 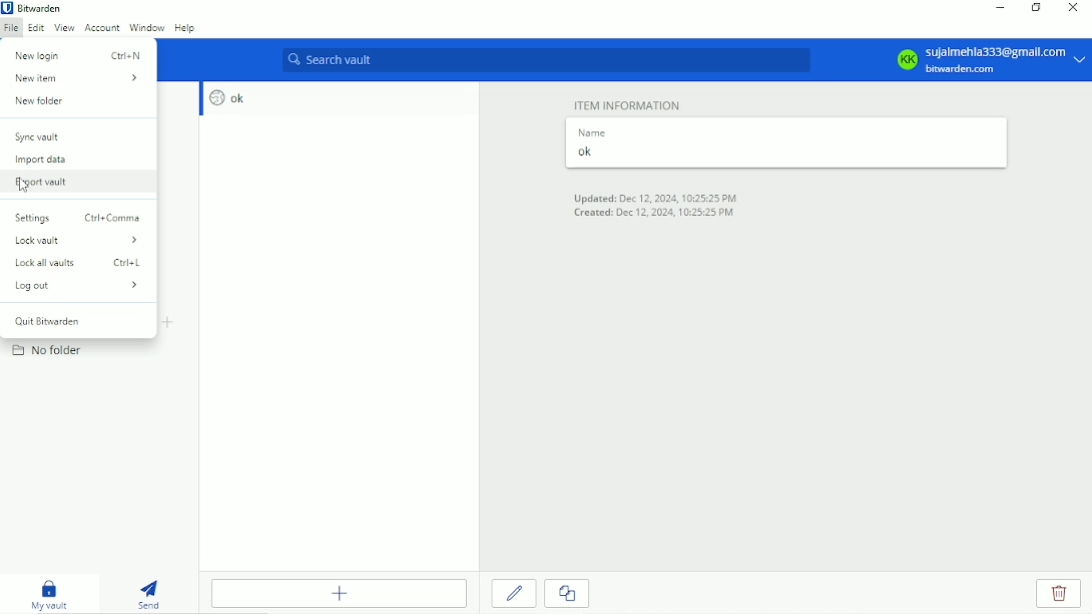 What do you see at coordinates (629, 103) in the screenshot?
I see `Item information` at bounding box center [629, 103].